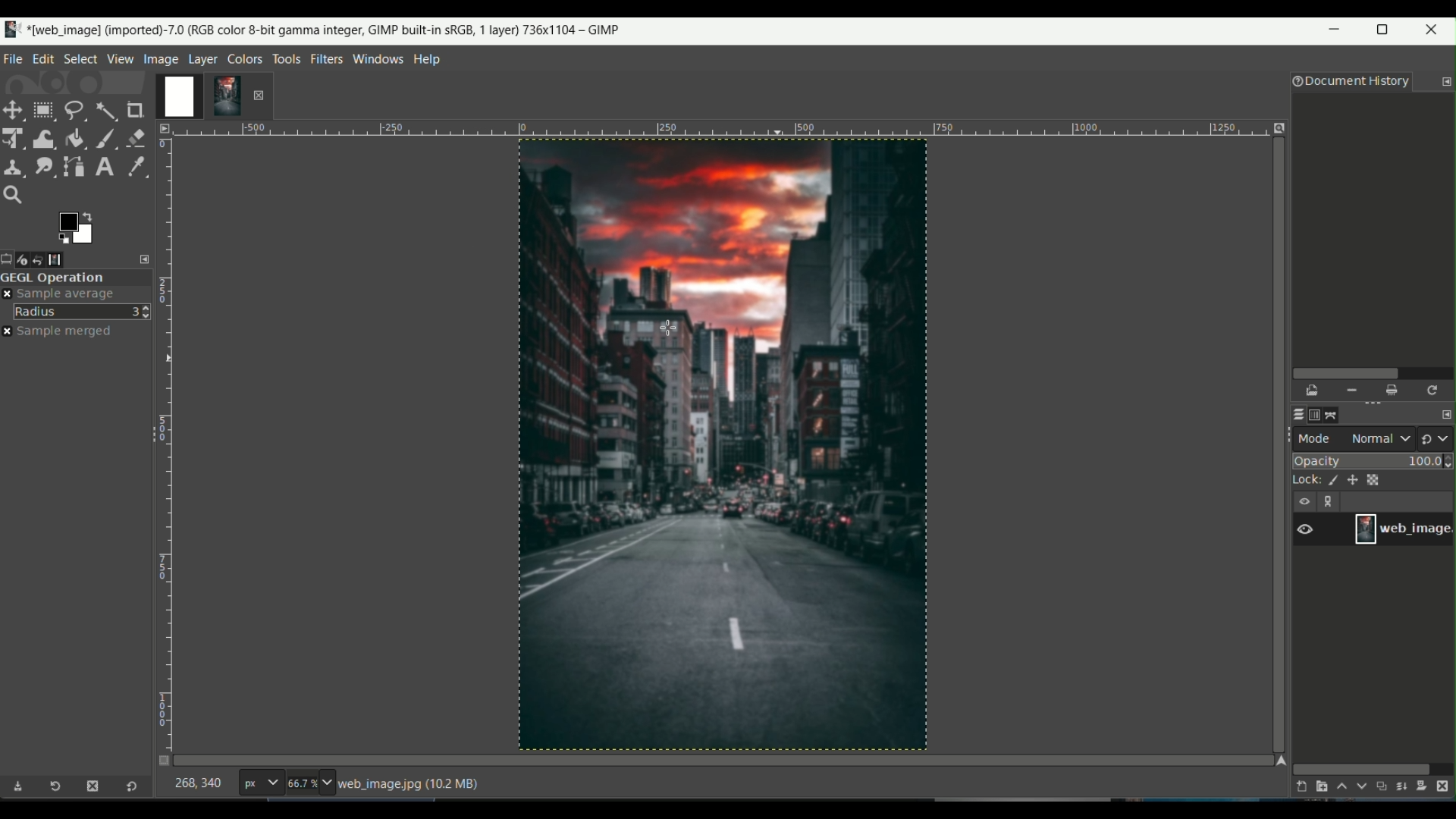 This screenshot has height=819, width=1456. What do you see at coordinates (1446, 82) in the screenshot?
I see `configure this tab` at bounding box center [1446, 82].